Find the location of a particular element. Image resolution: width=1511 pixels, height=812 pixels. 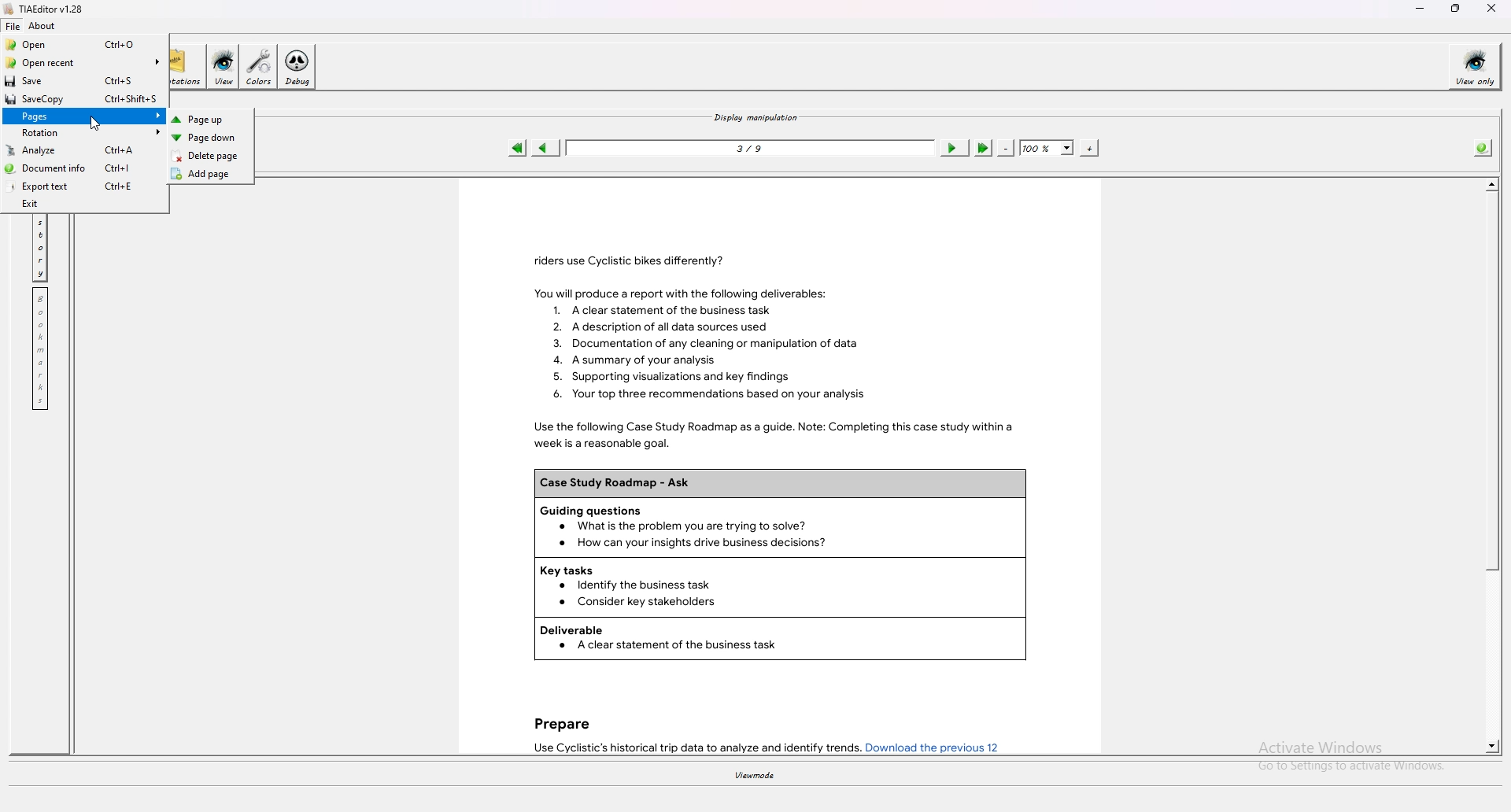

Key tasks Identify the business task Consider key stakeholders is located at coordinates (781, 588).